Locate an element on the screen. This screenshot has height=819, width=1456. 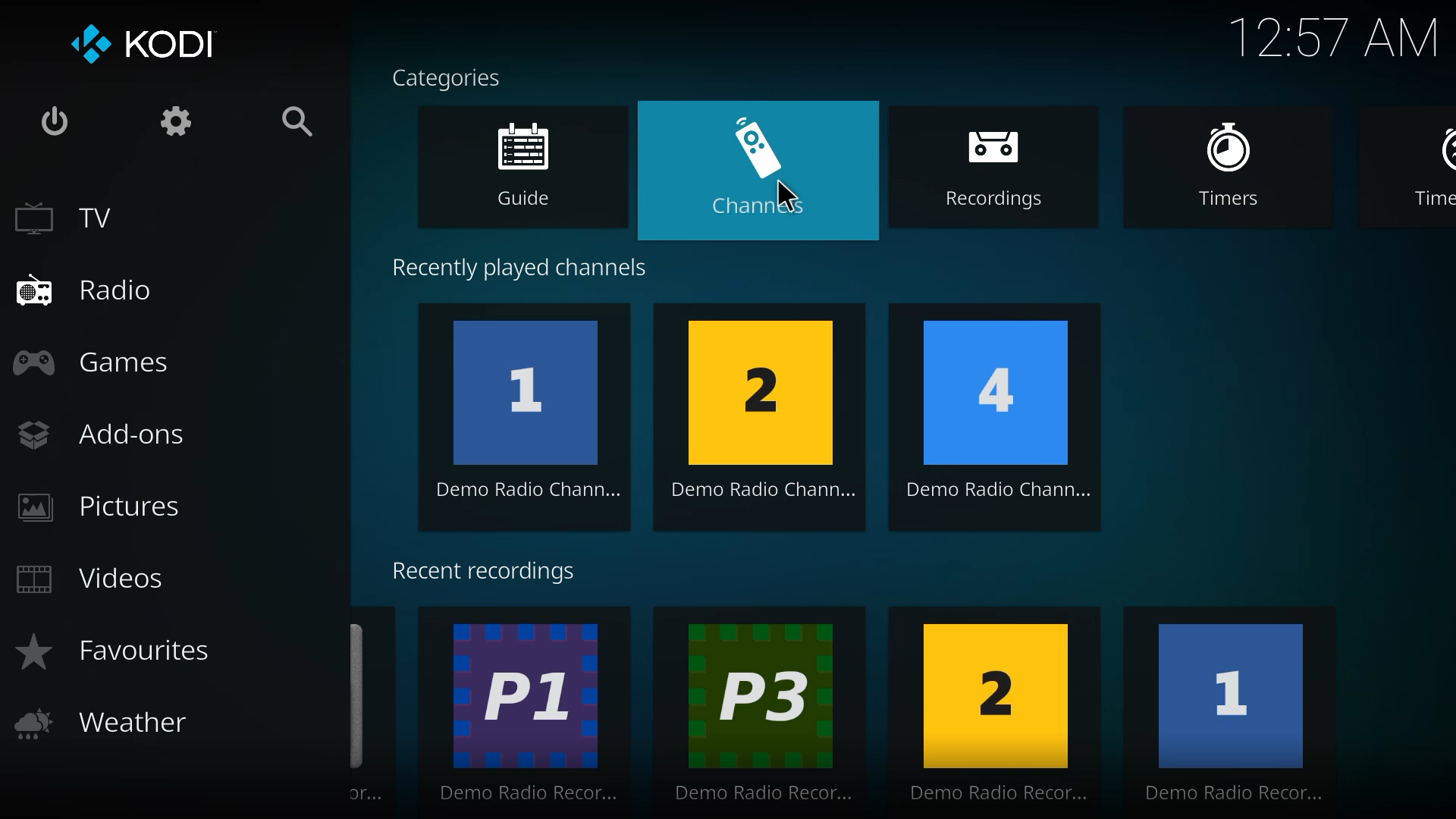
1 Demo Radio Chann... is located at coordinates (530, 416).